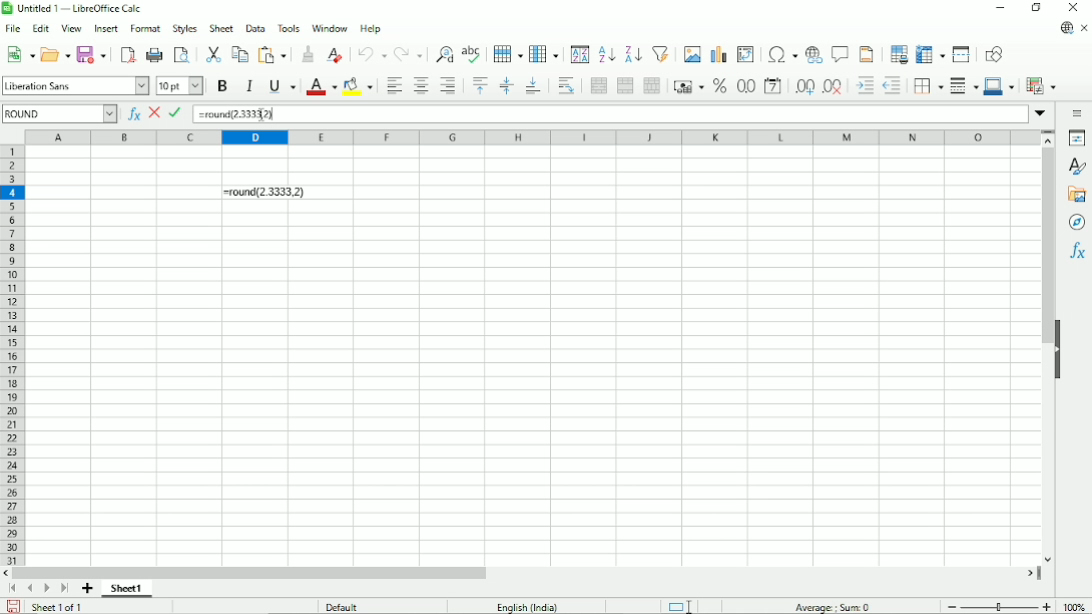  I want to click on Cancel, so click(154, 112).